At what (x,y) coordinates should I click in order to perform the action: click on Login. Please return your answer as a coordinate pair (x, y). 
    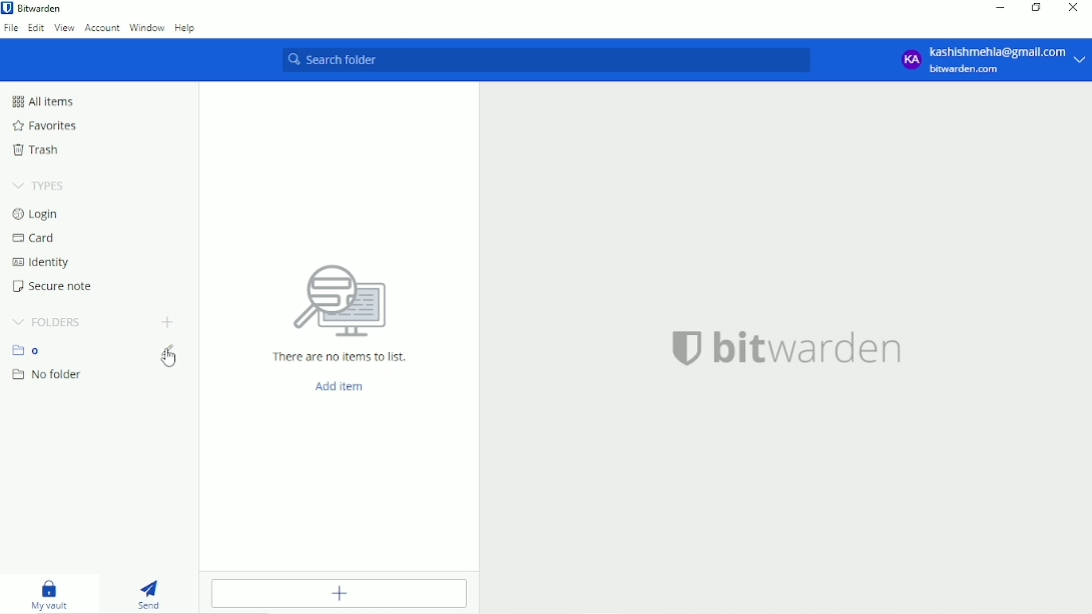
    Looking at the image, I should click on (40, 214).